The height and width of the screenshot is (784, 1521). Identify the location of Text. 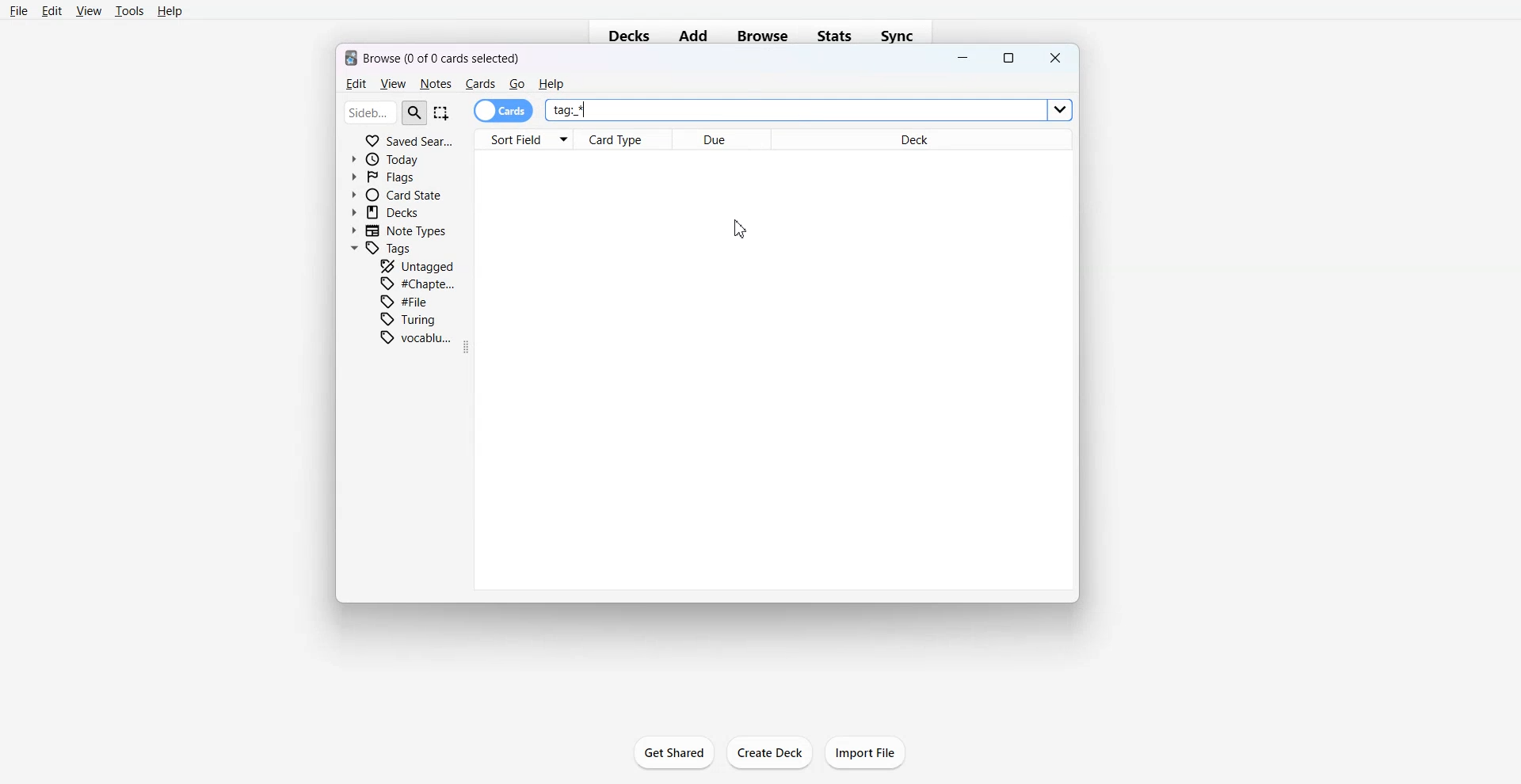
(433, 56).